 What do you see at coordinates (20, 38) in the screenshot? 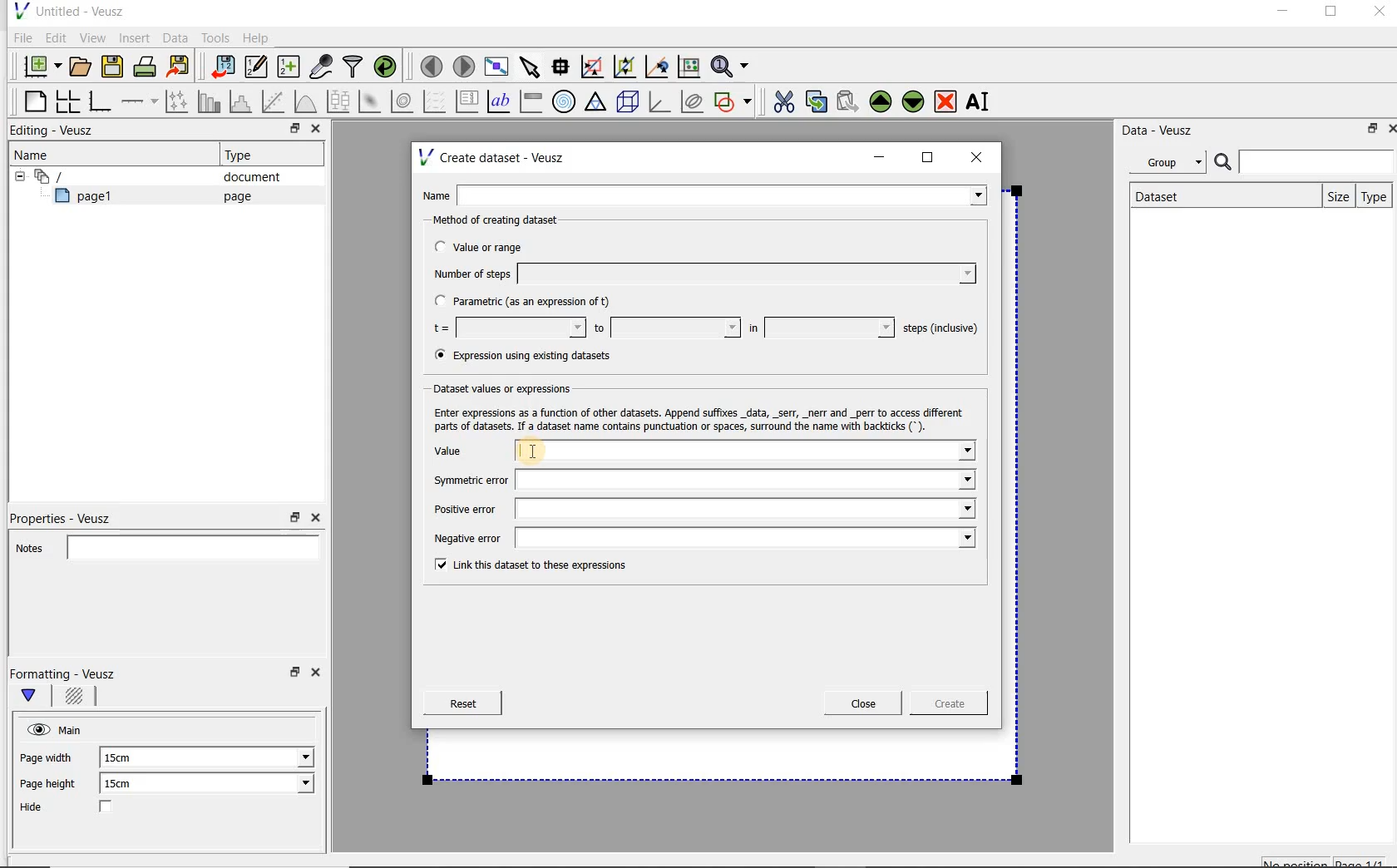
I see `File` at bounding box center [20, 38].